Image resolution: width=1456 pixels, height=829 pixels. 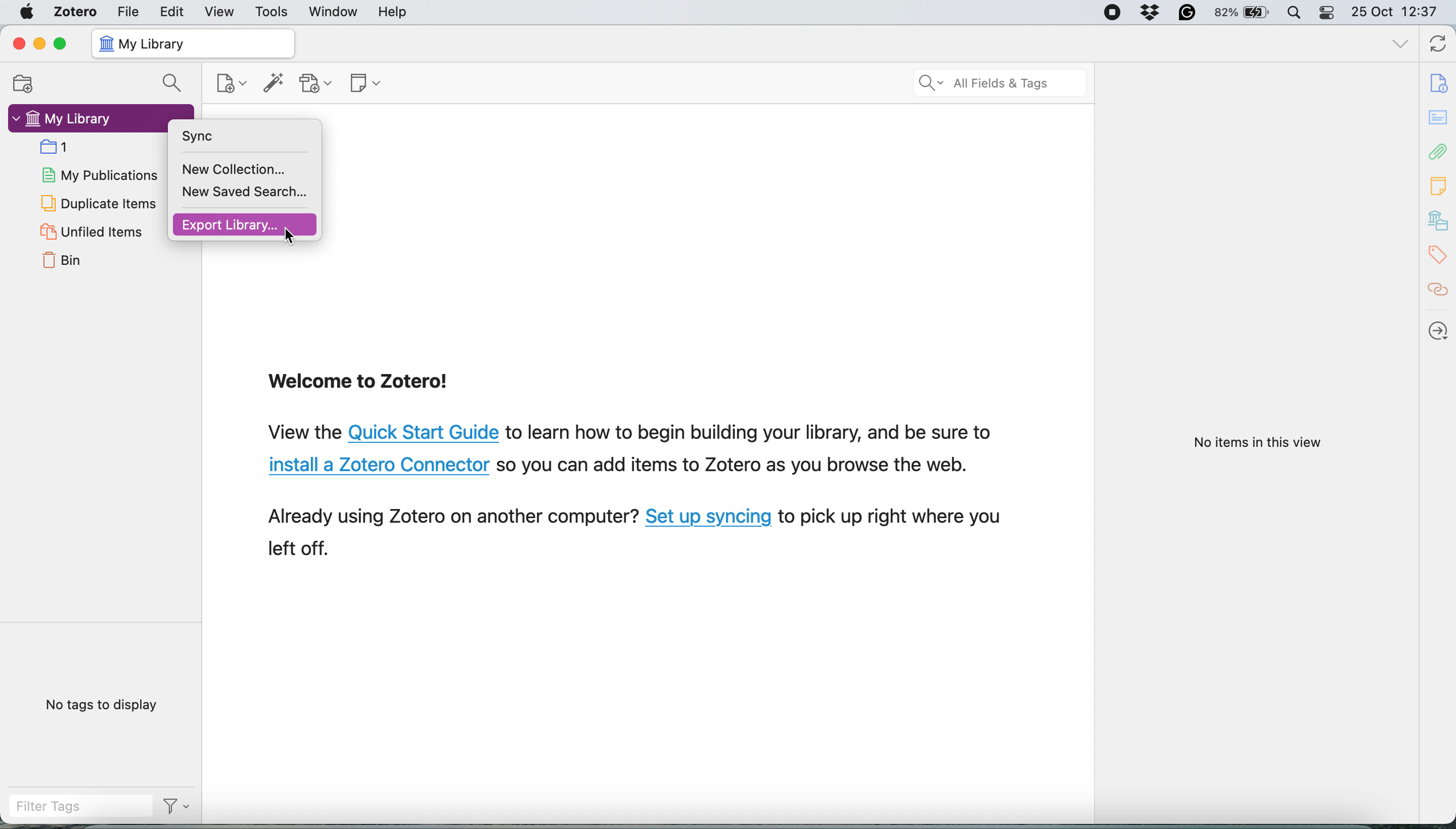 What do you see at coordinates (1439, 154) in the screenshot?
I see `attachements` at bounding box center [1439, 154].